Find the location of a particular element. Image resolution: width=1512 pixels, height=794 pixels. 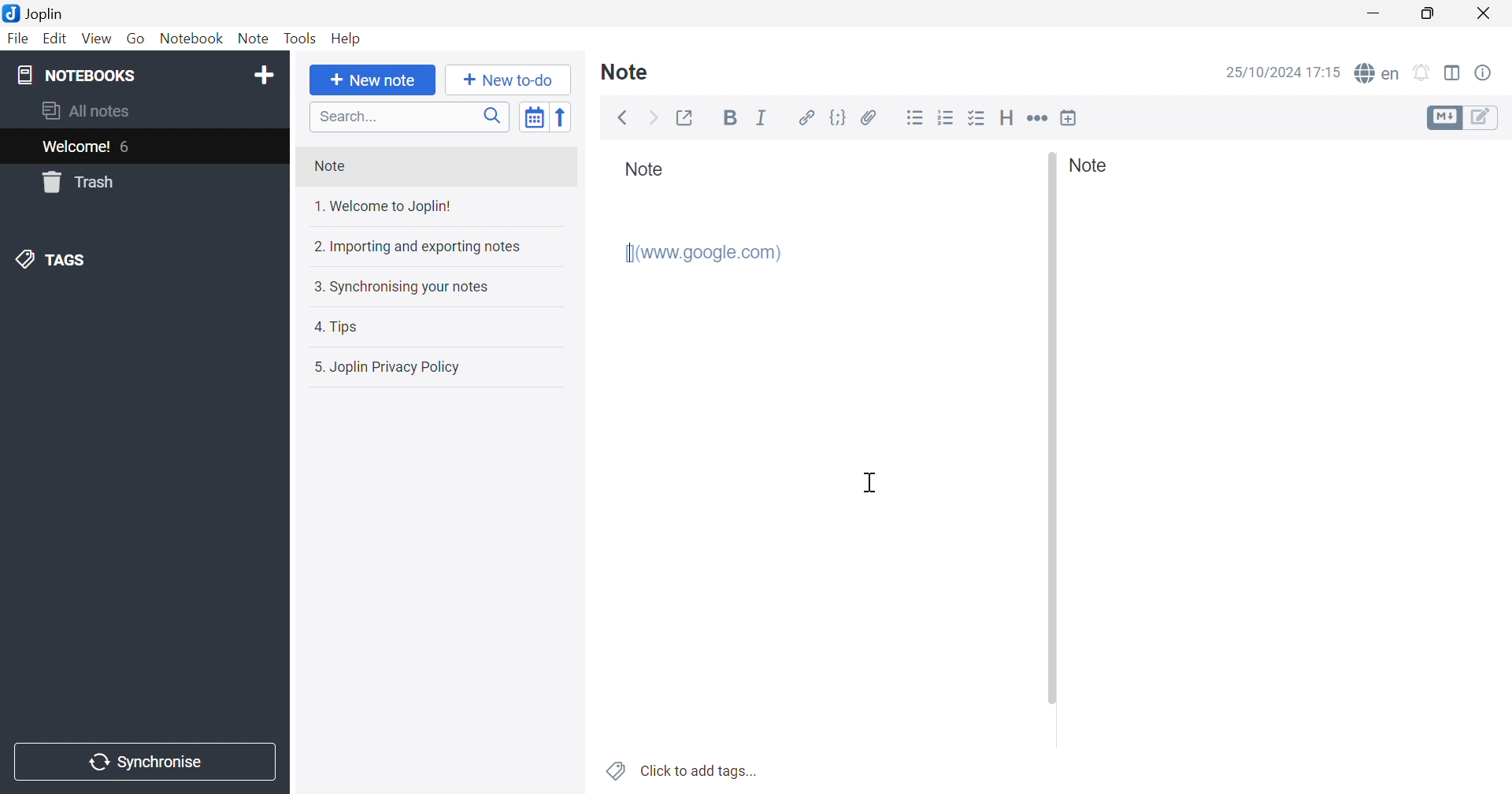

Italic is located at coordinates (762, 116).